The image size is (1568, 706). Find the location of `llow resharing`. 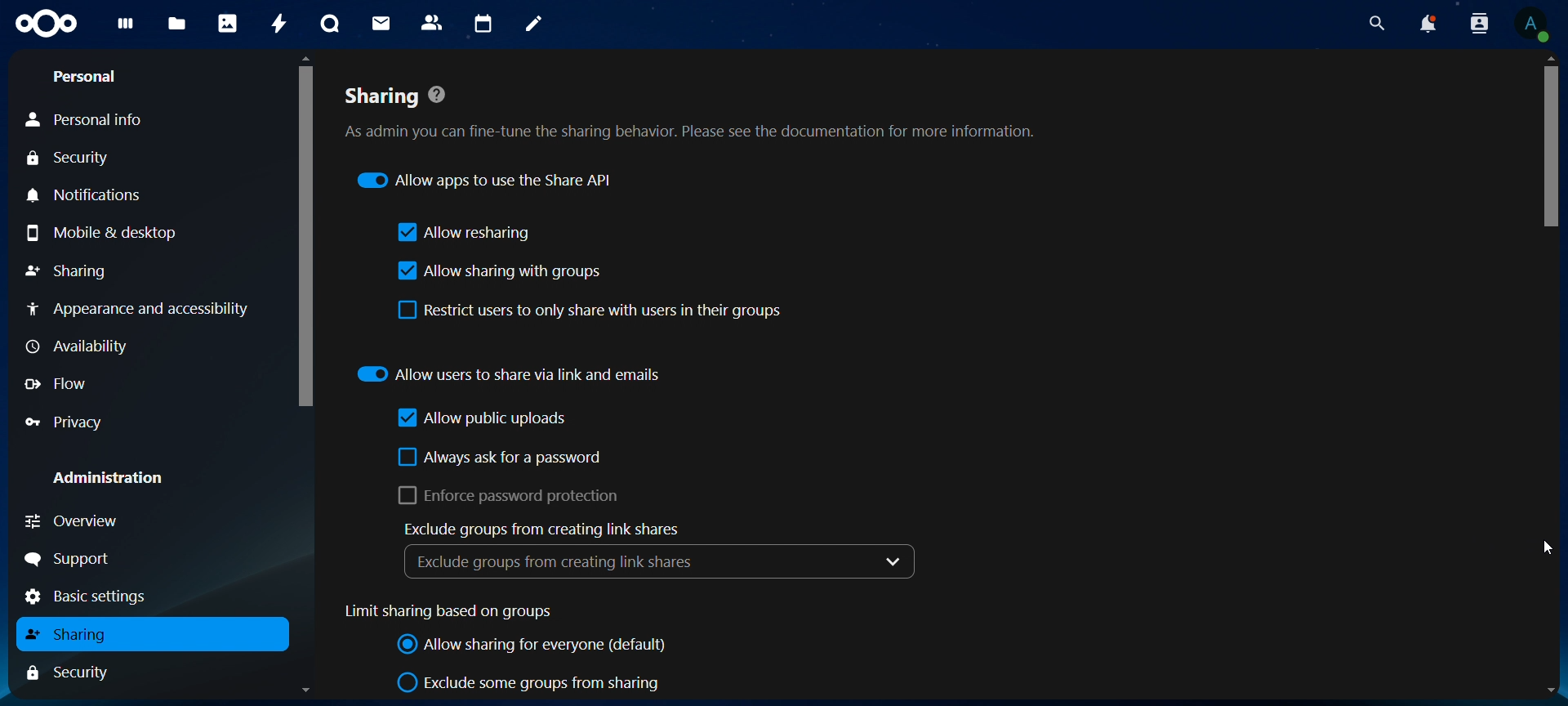

llow resharing is located at coordinates (461, 232).